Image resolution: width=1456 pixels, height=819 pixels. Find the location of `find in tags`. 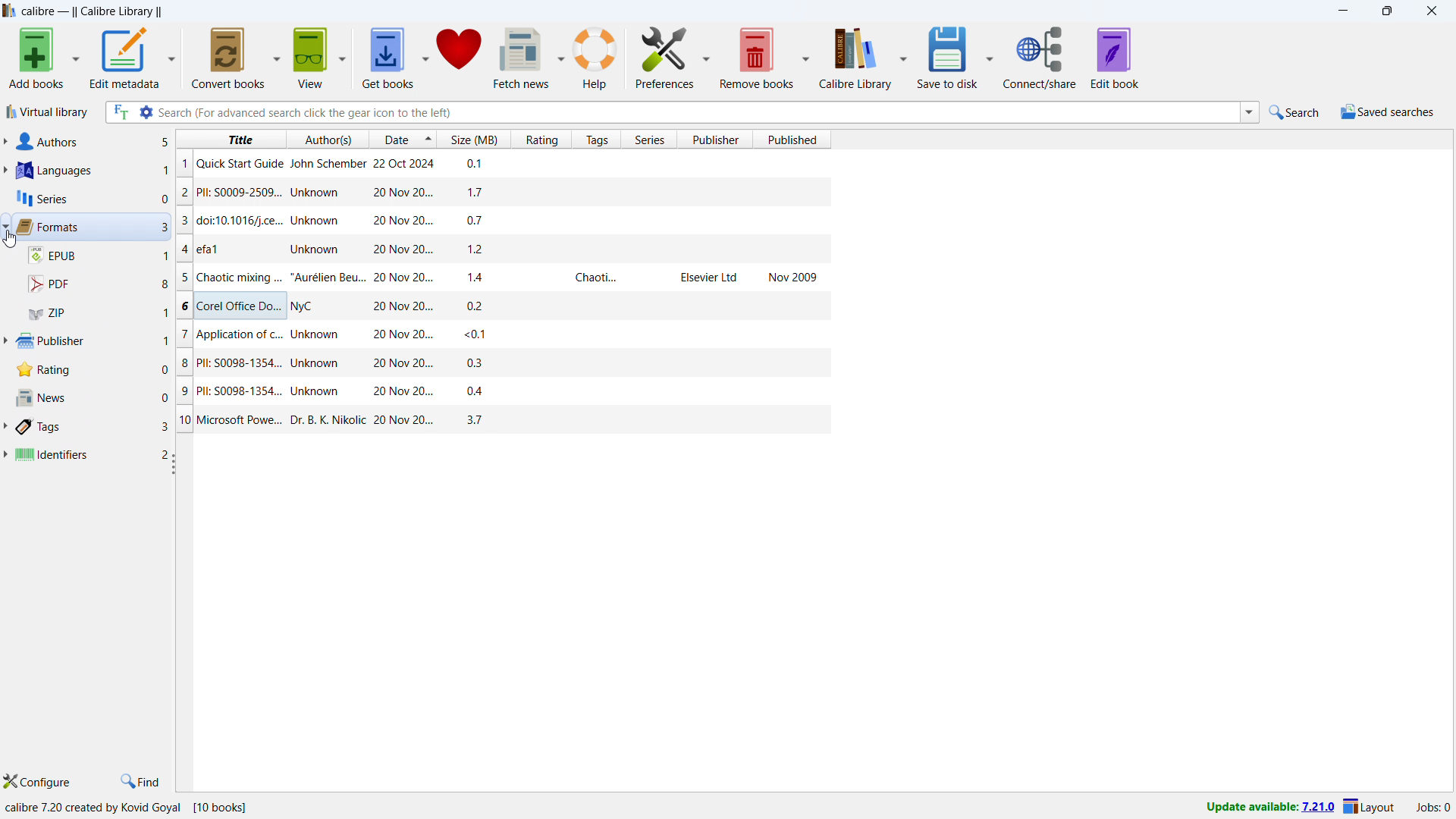

find in tags is located at coordinates (141, 780).